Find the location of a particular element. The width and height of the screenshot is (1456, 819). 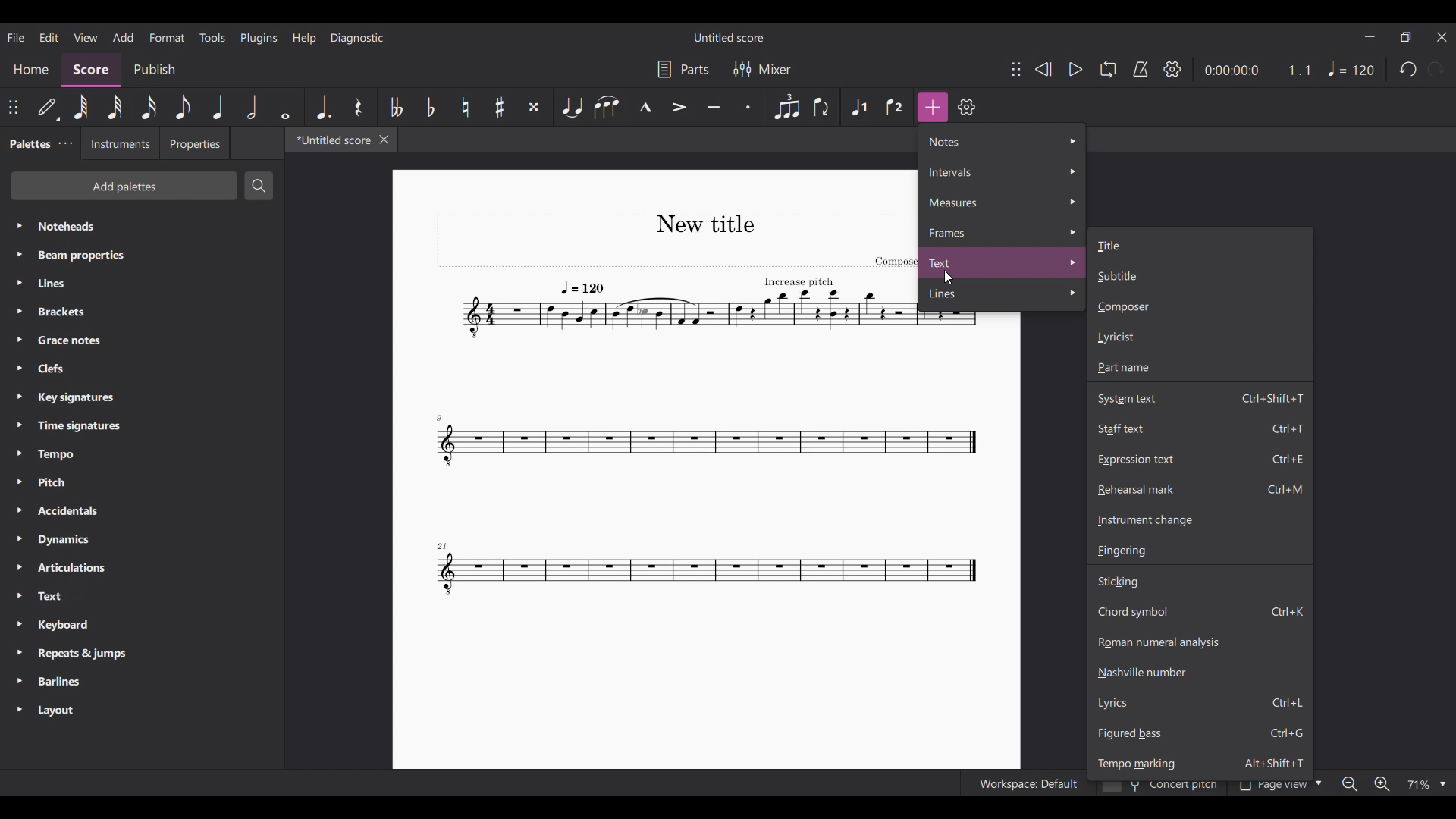

*Untitled score, current tab is located at coordinates (330, 139).